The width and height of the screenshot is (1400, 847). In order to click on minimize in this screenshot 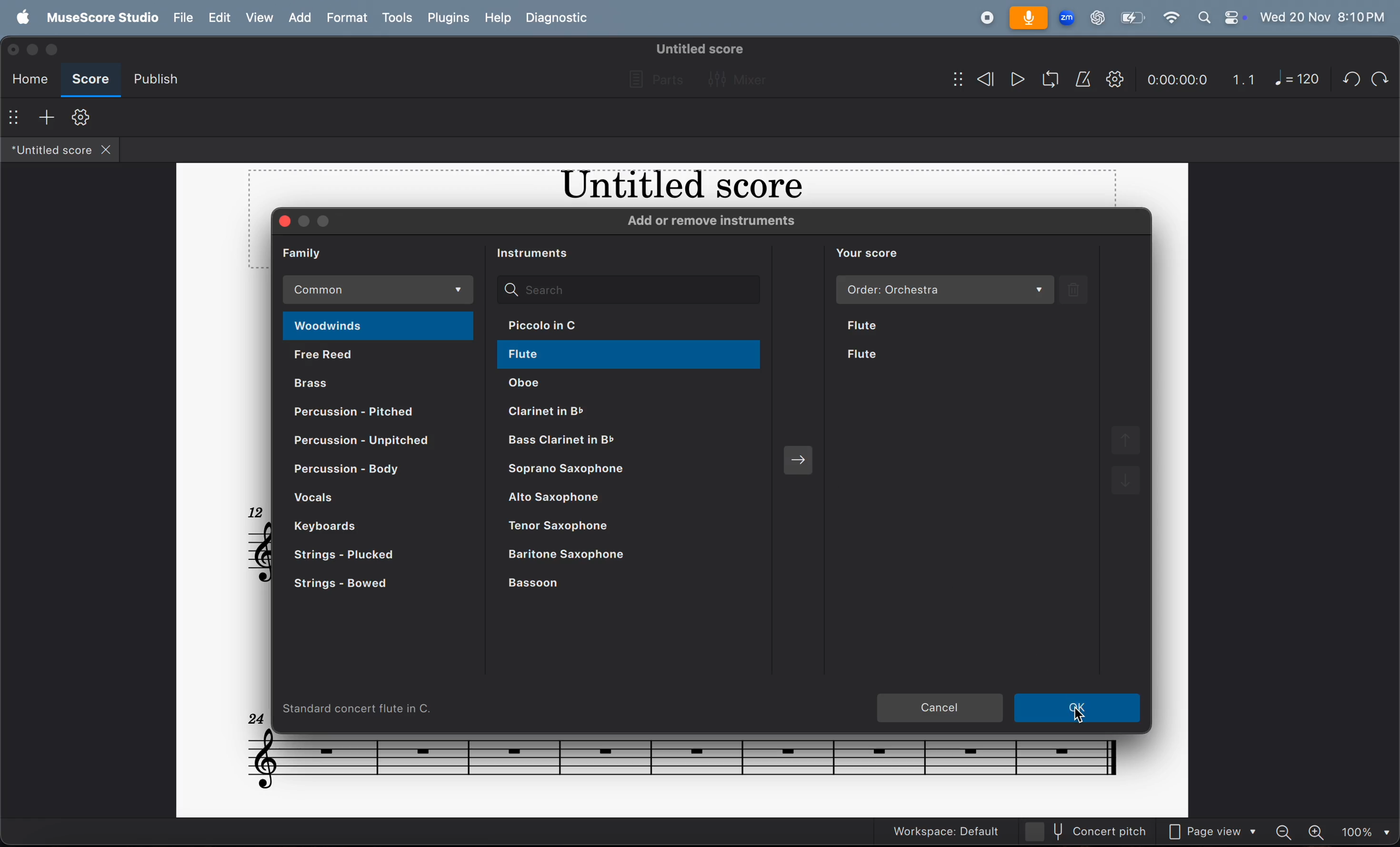, I will do `click(306, 220)`.